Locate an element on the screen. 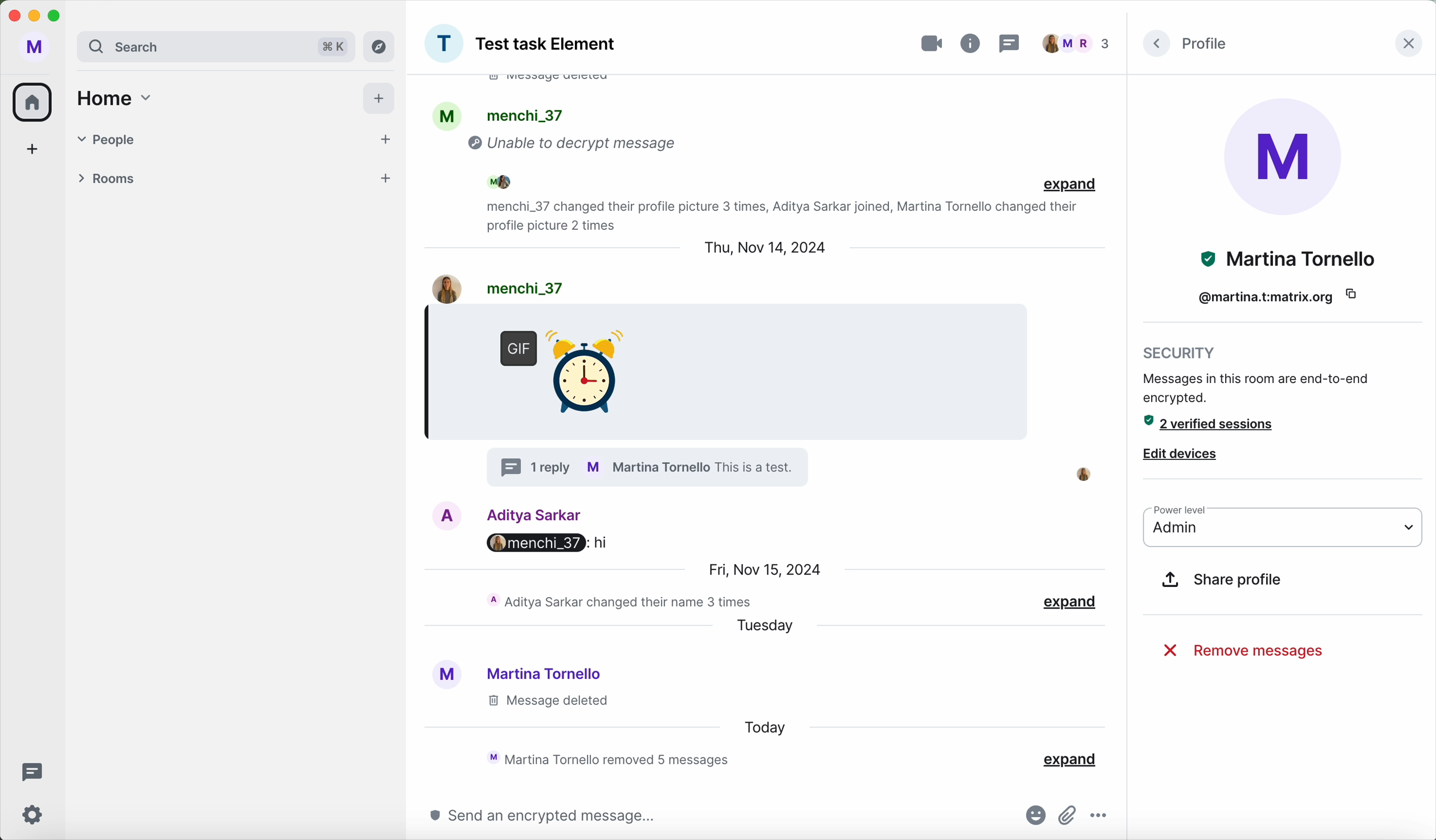 The height and width of the screenshot is (840, 1436). maximize is located at coordinates (58, 16).